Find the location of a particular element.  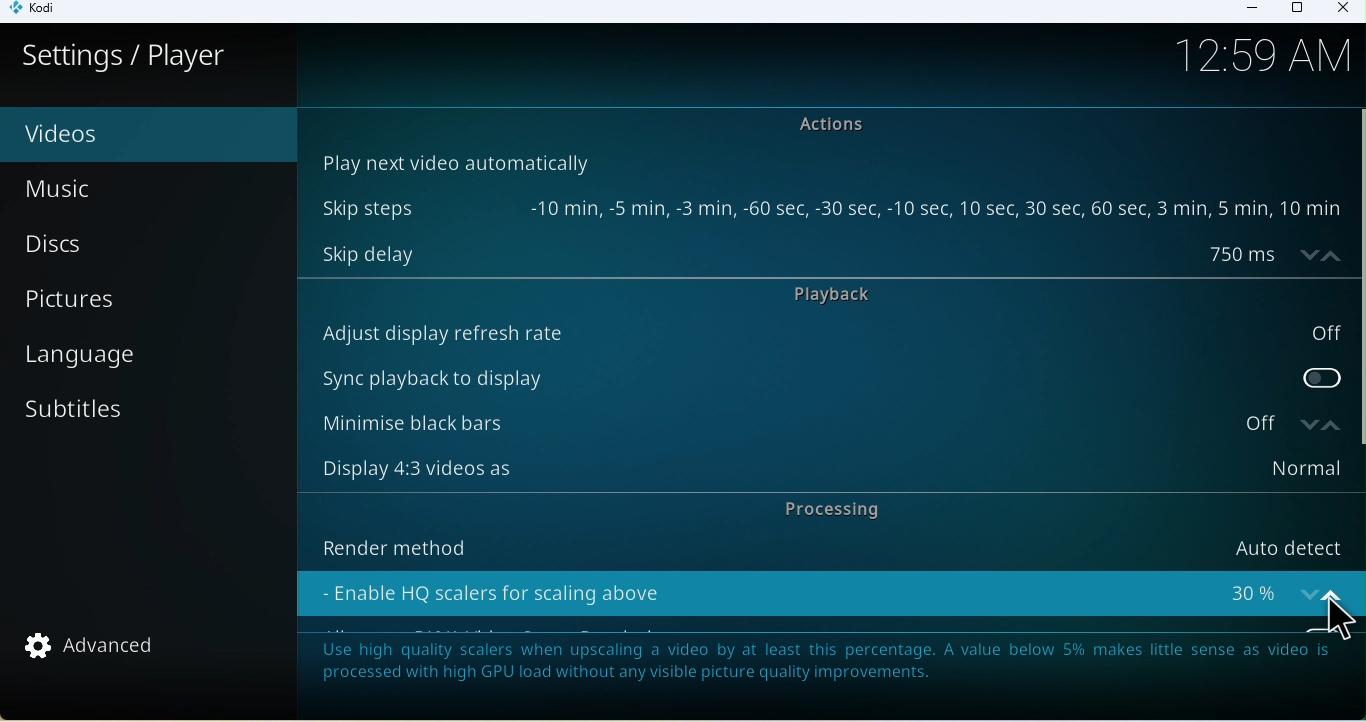

Video is located at coordinates (115, 135).